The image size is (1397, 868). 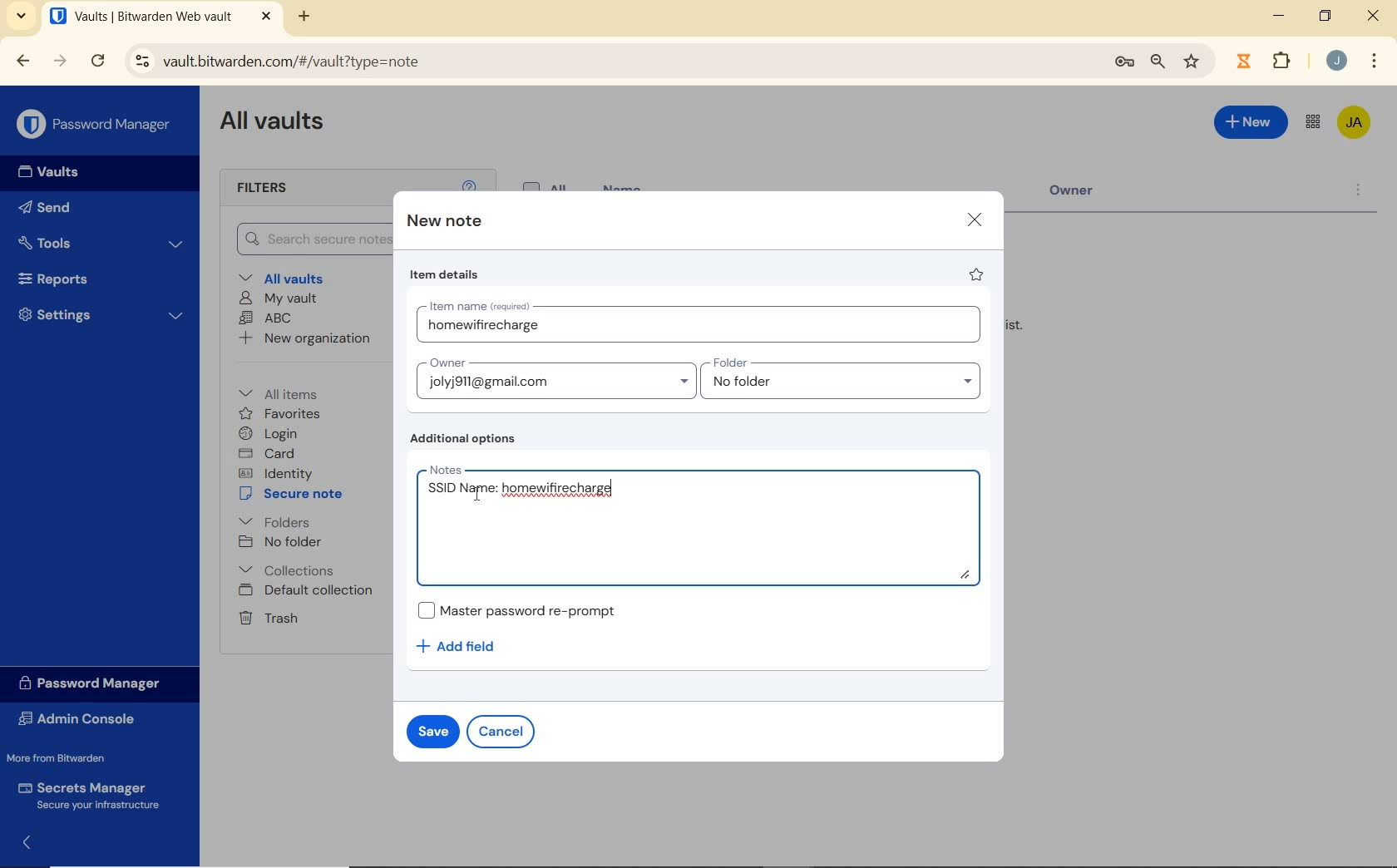 What do you see at coordinates (974, 220) in the screenshot?
I see `close` at bounding box center [974, 220].